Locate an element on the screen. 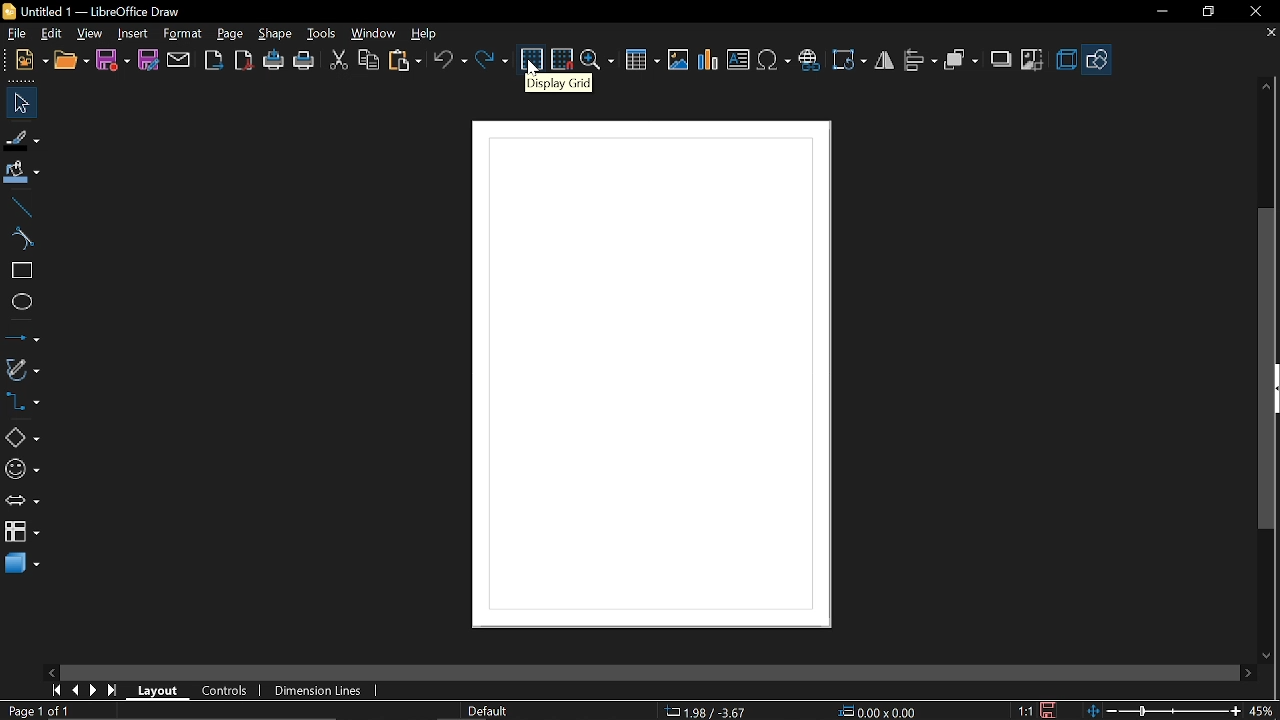  Edit is located at coordinates (53, 34).